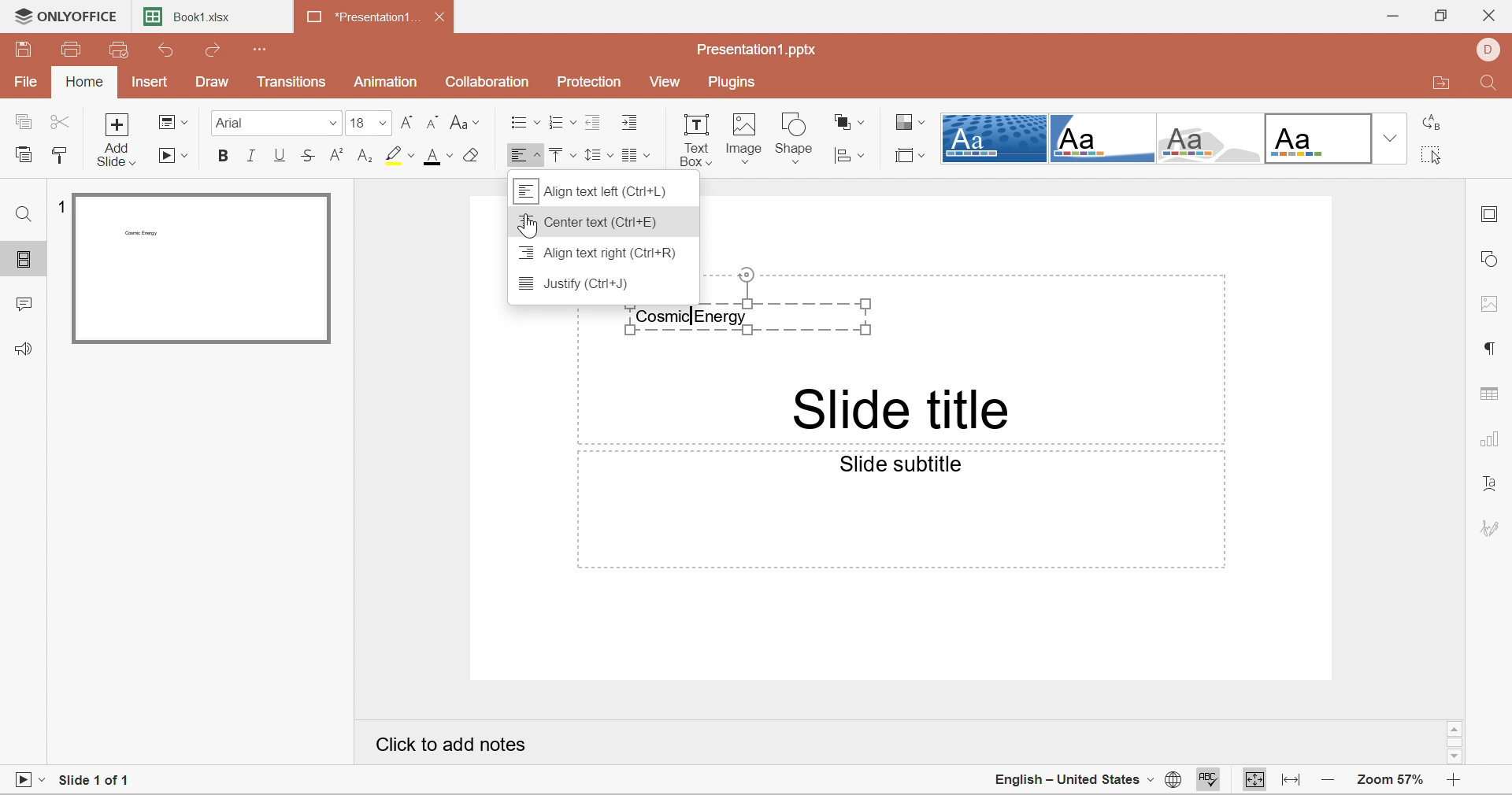 The image size is (1512, 795). What do you see at coordinates (200, 269) in the screenshot?
I see `Slide 1` at bounding box center [200, 269].